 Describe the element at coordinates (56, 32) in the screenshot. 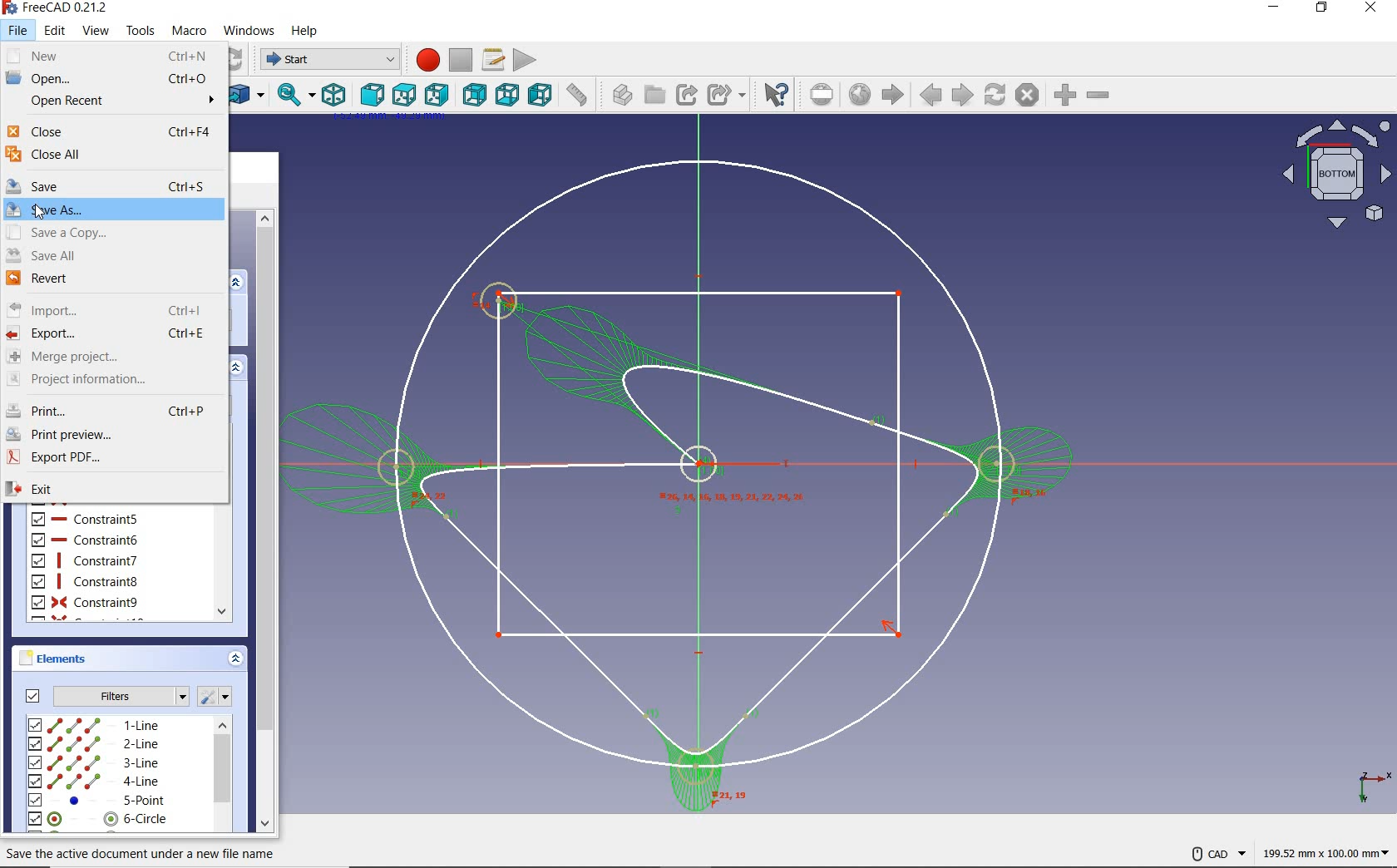

I see `edit` at that location.